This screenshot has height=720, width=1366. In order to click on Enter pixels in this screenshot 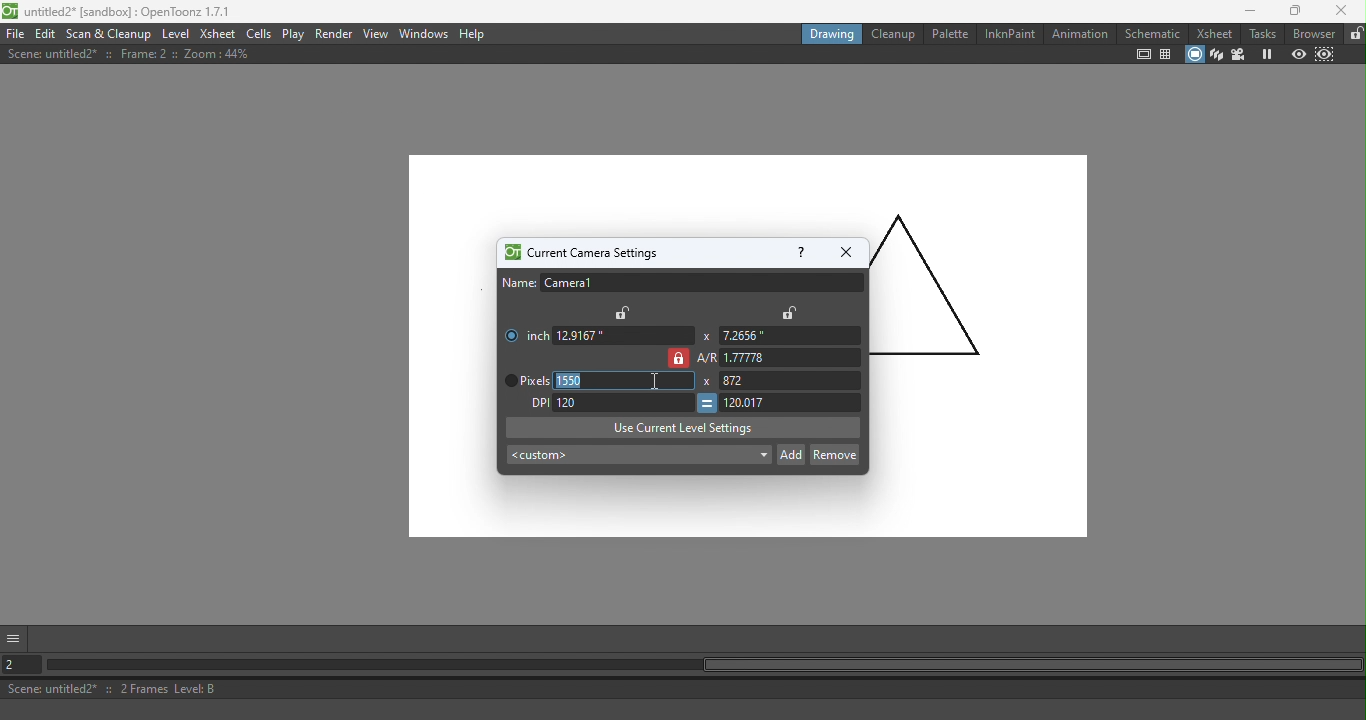, I will do `click(796, 380)`.